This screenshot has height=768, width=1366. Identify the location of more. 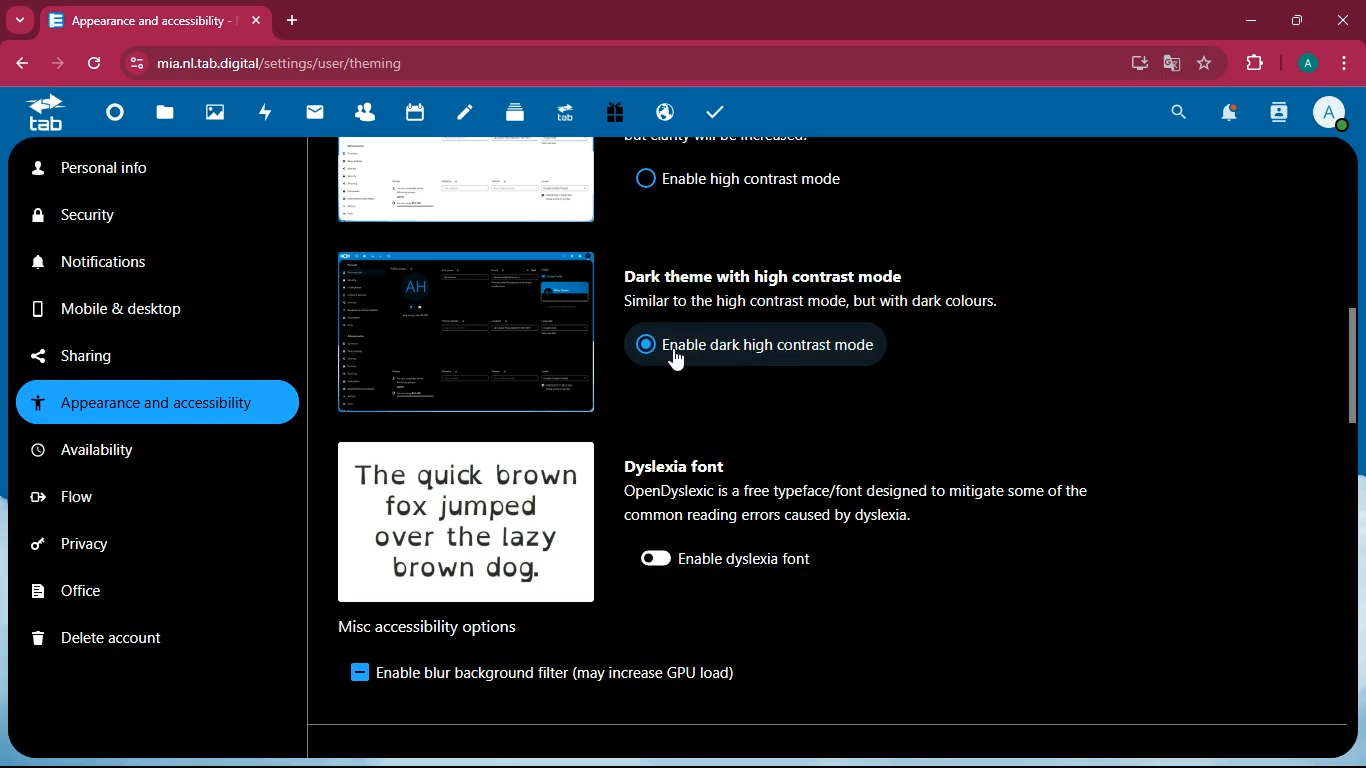
(19, 21).